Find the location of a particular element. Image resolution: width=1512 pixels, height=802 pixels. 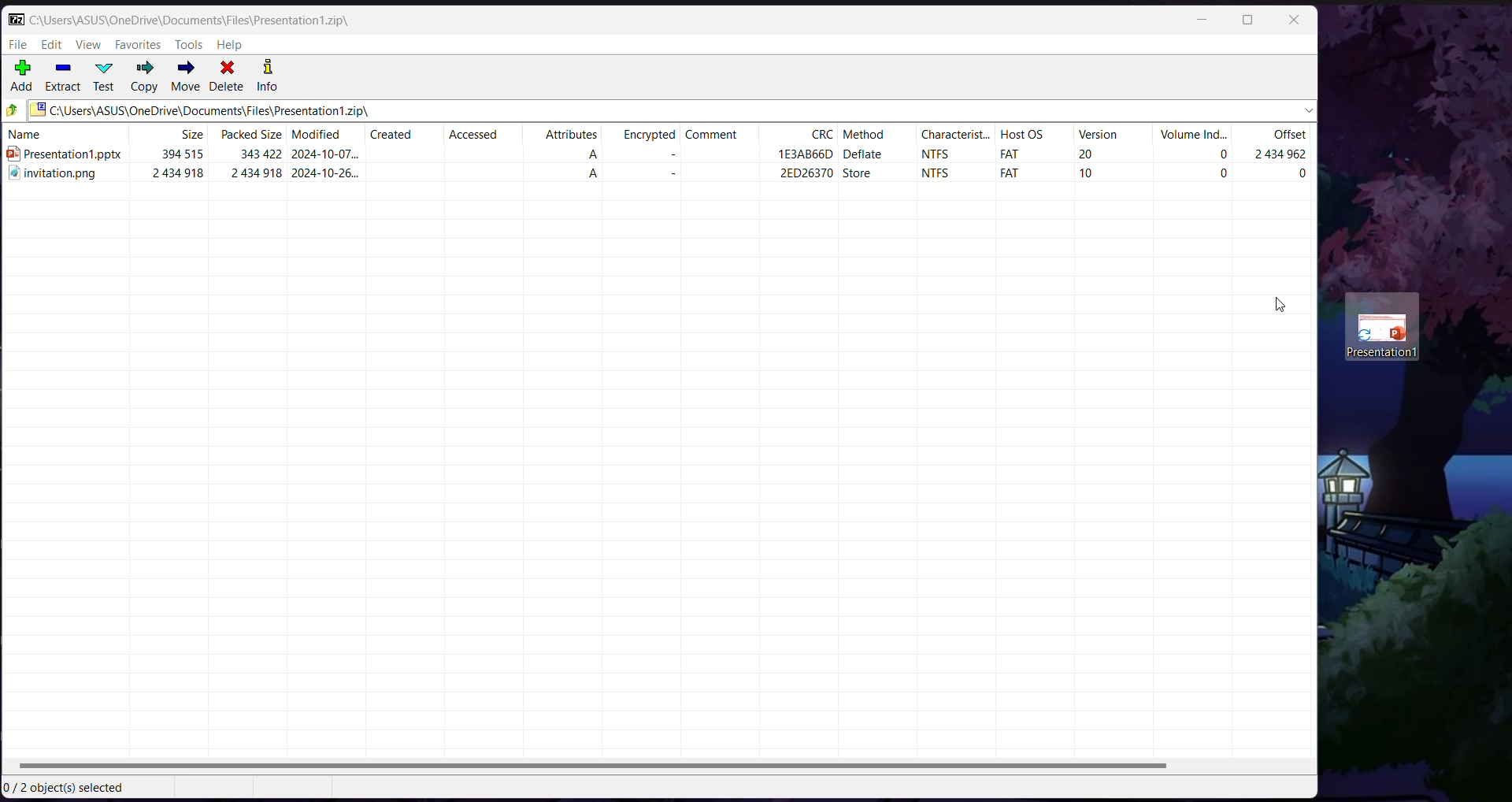

Offset is located at coordinates (1288, 136).